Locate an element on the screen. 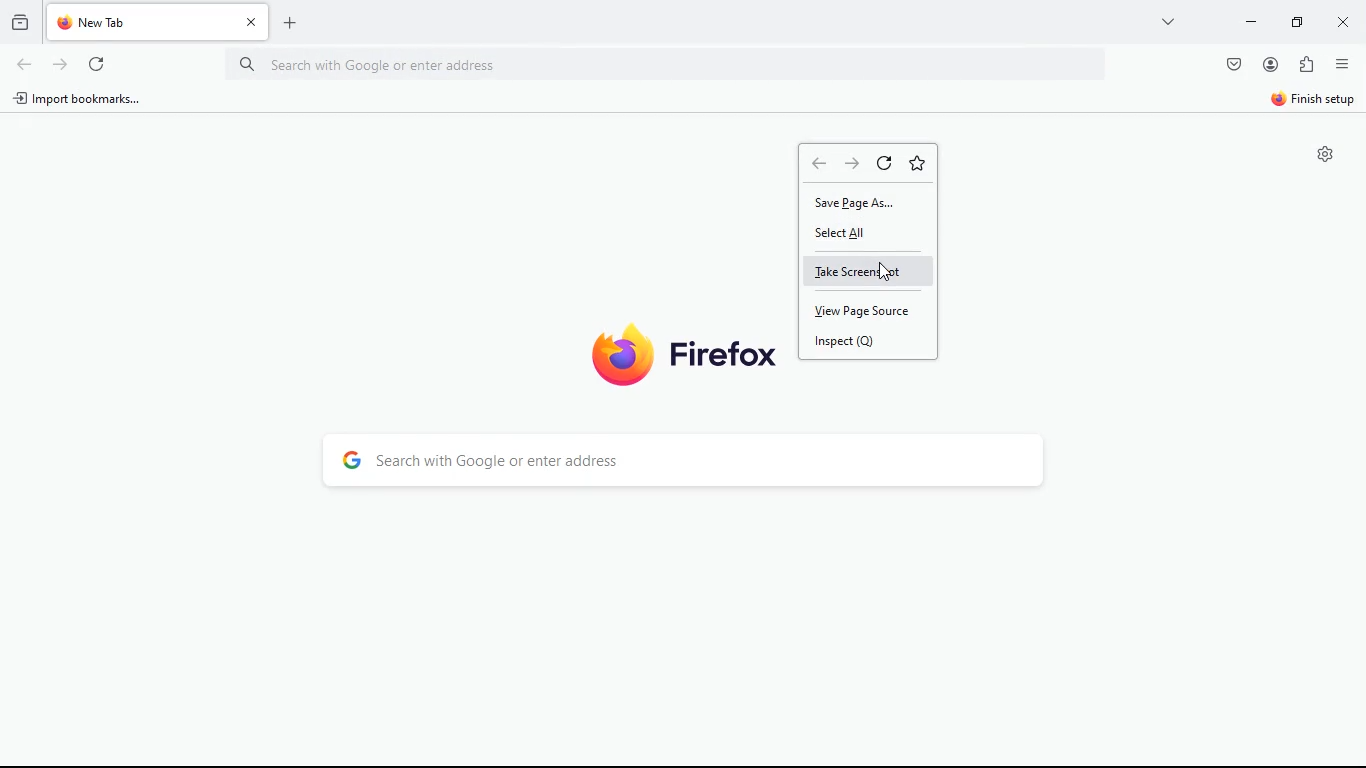  import bookmarks is located at coordinates (83, 100).